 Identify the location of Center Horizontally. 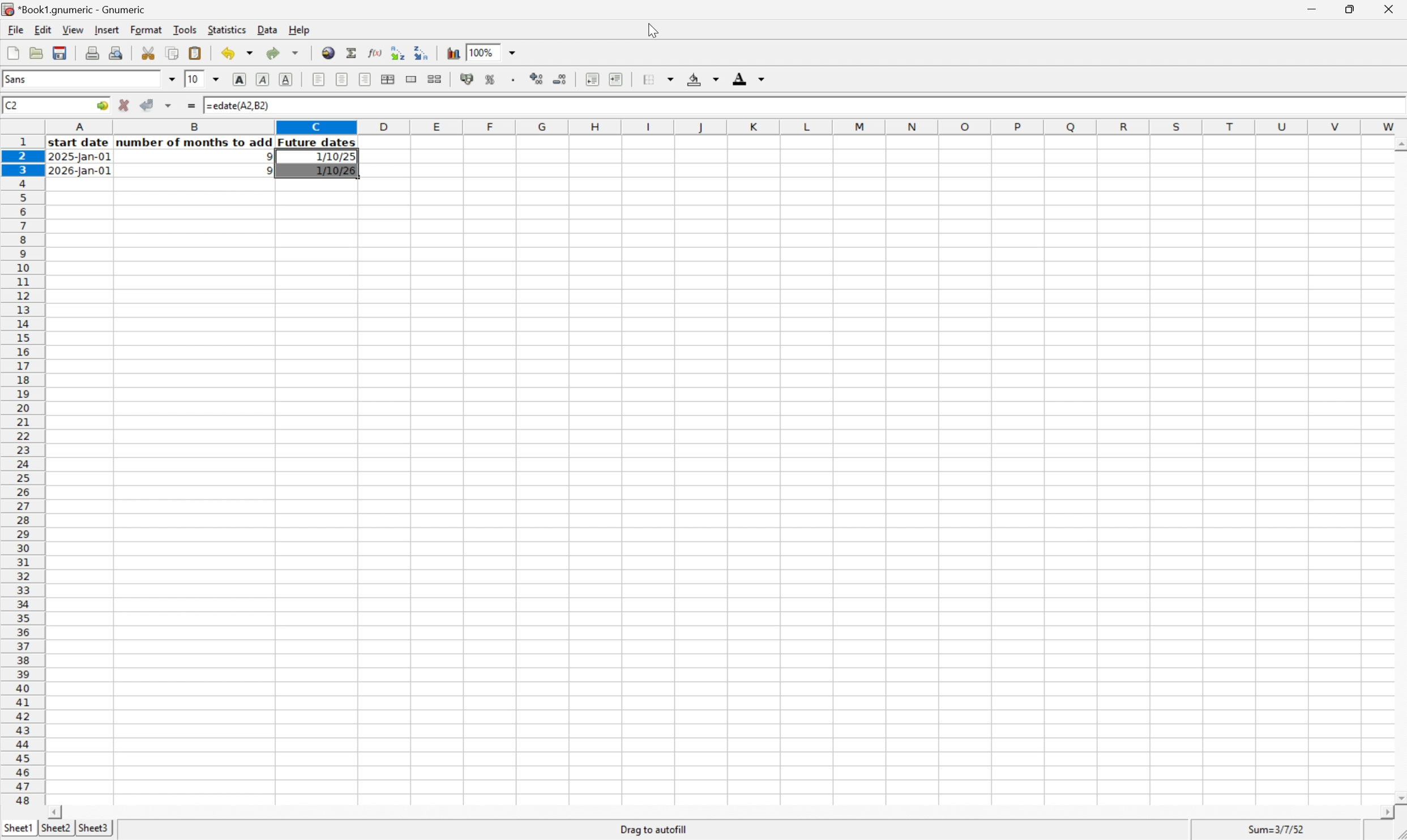
(342, 79).